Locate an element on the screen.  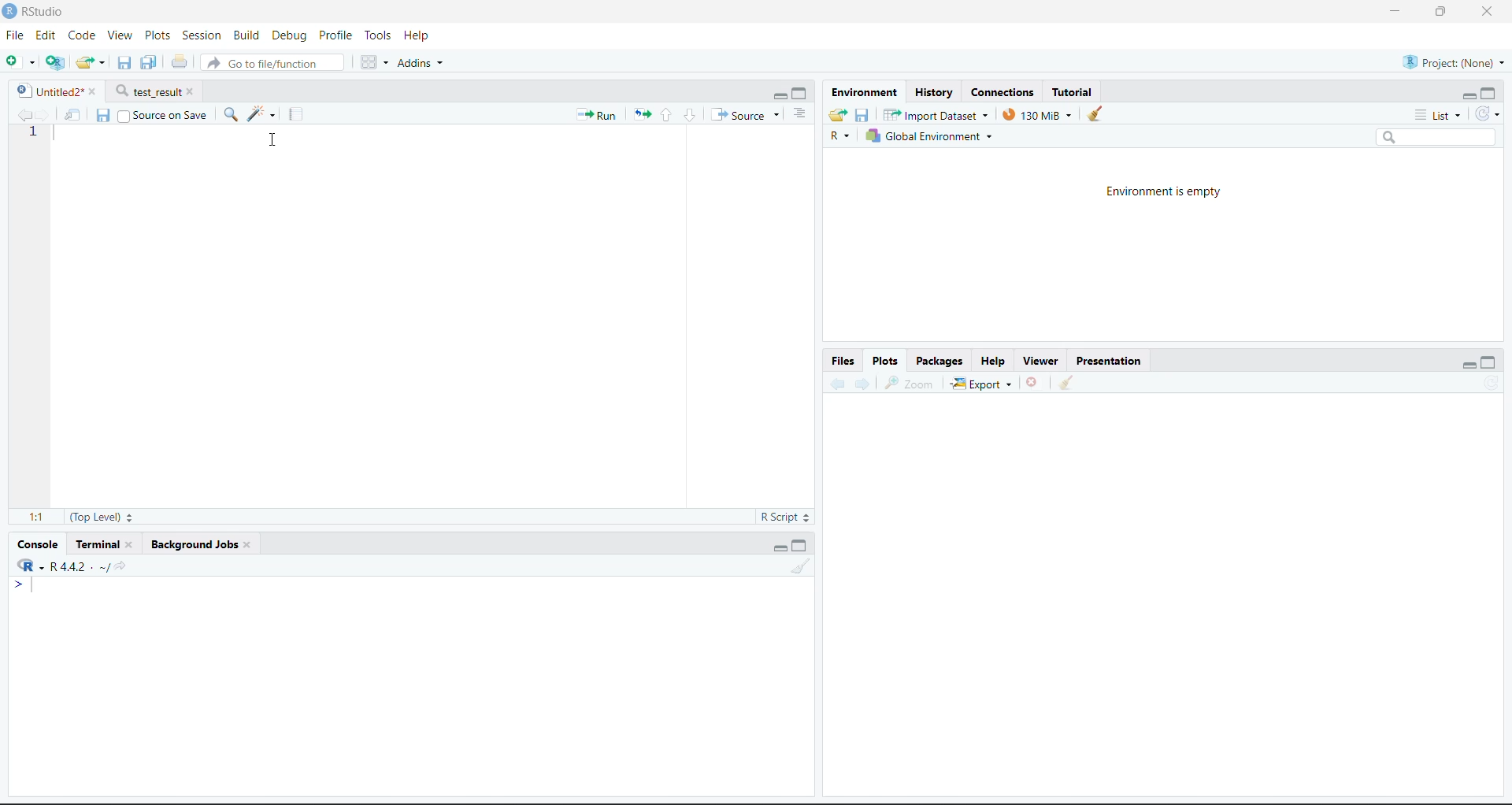
Go back to the previous source location (Ctrl + F9) is located at coordinates (839, 383).